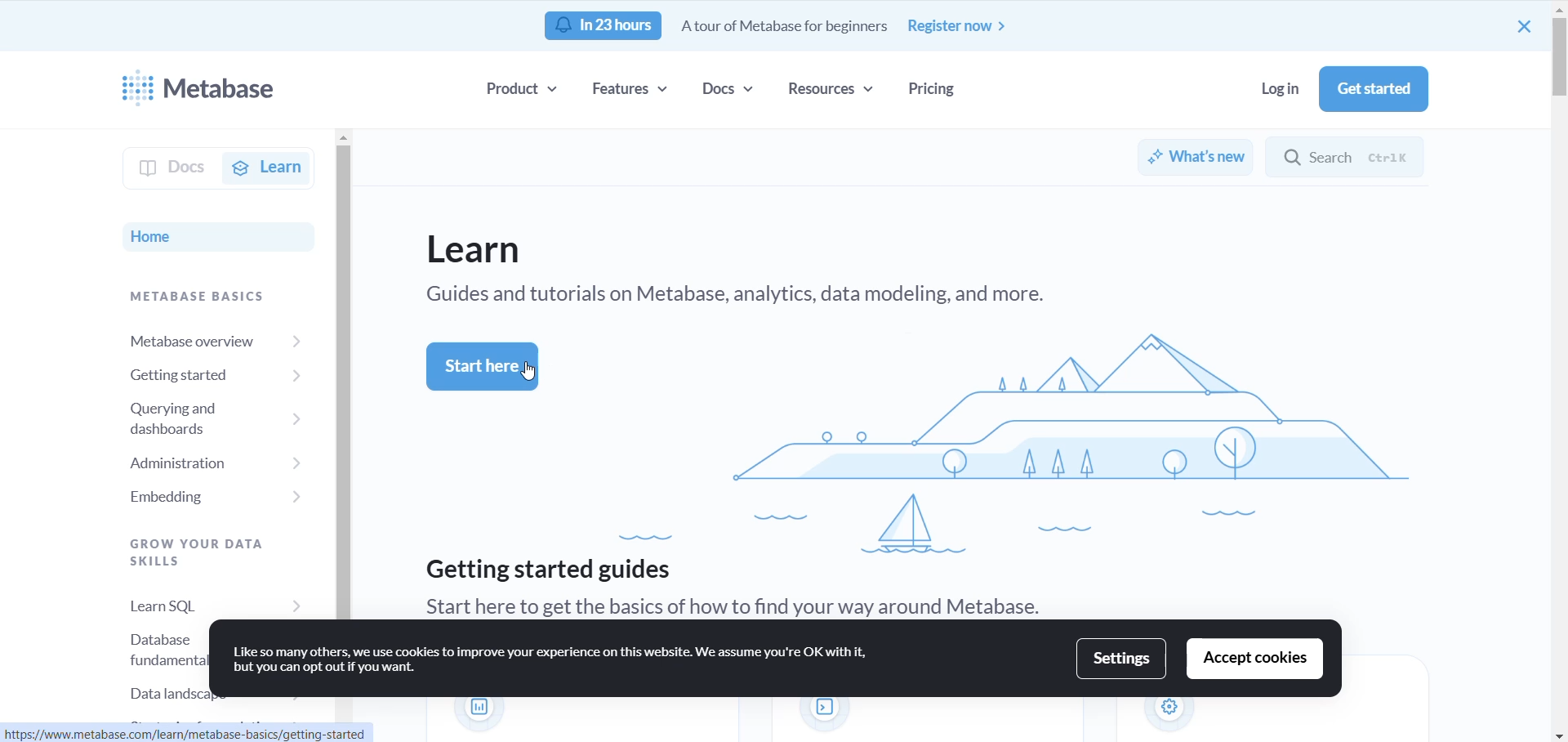 The width and height of the screenshot is (1568, 742). I want to click on accept cookies, so click(1255, 659).